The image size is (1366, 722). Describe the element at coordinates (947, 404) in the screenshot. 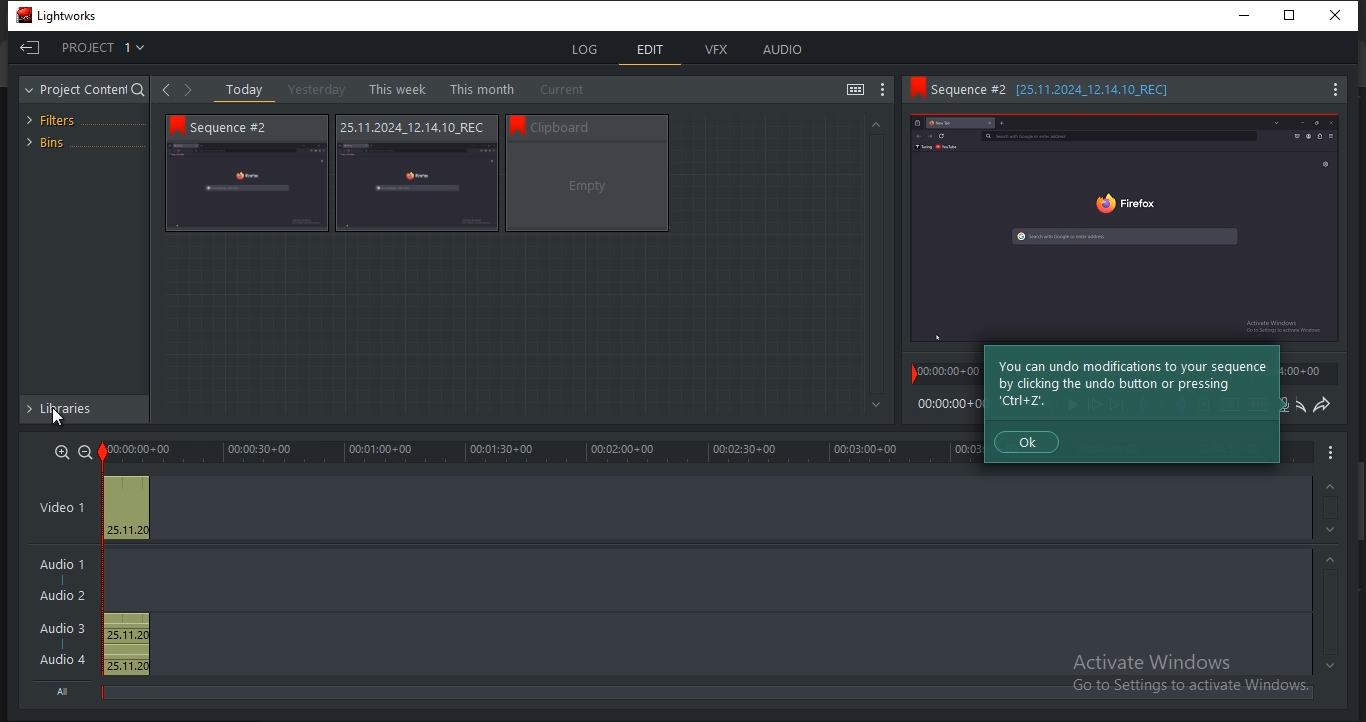

I see `time` at that location.